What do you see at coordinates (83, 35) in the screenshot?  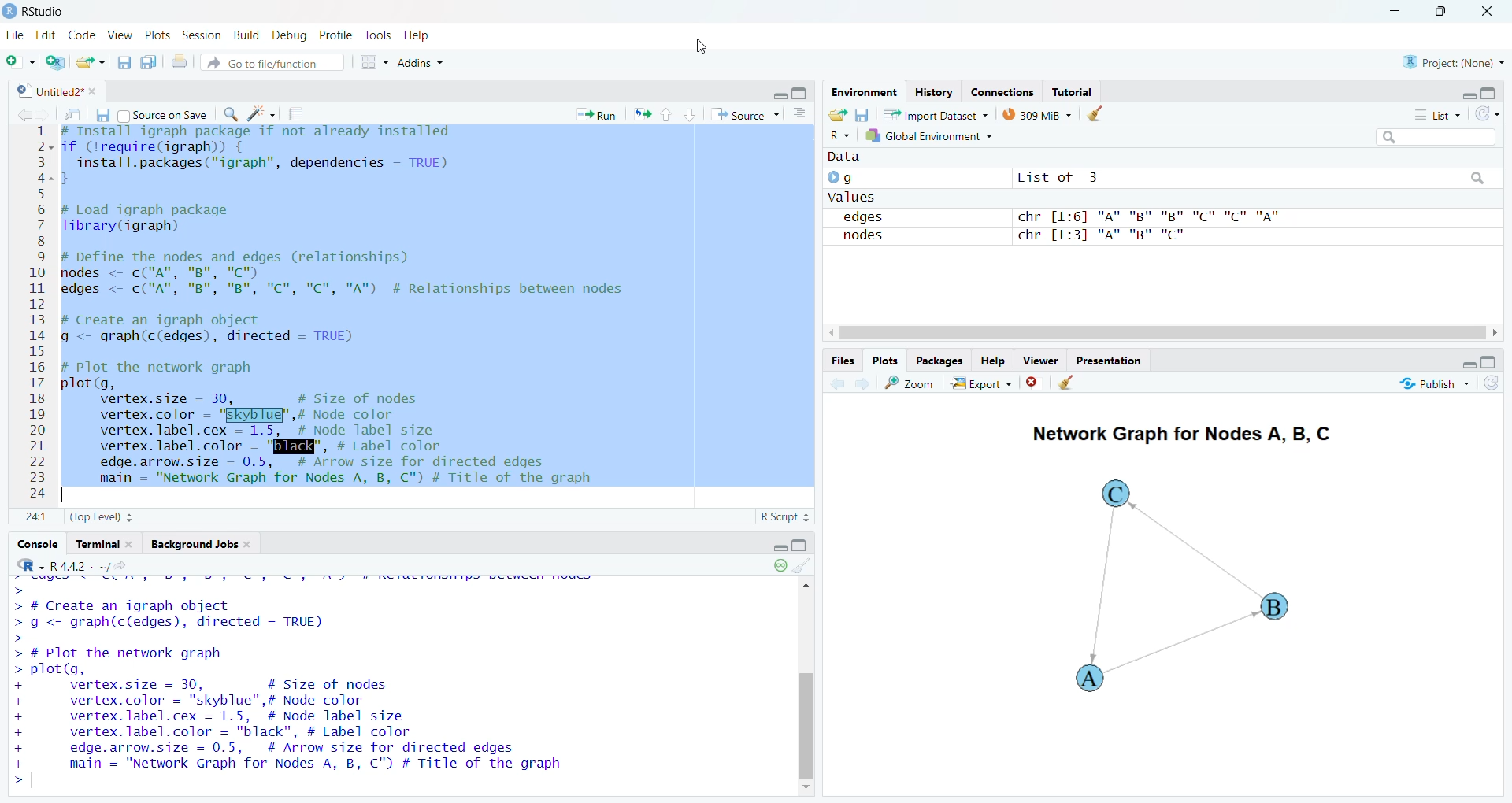 I see `Code` at bounding box center [83, 35].